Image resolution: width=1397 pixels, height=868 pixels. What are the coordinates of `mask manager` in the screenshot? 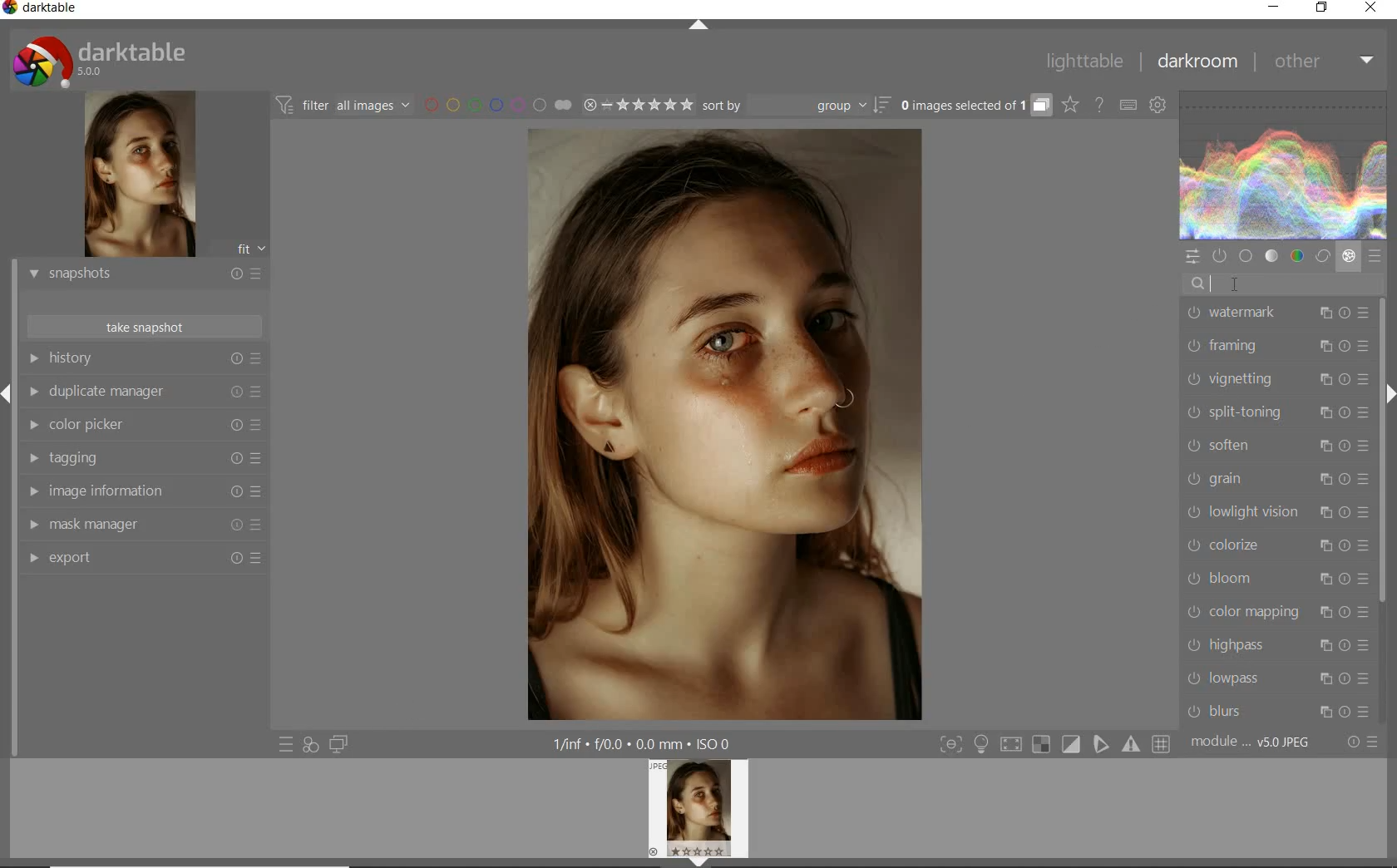 It's located at (144, 525).